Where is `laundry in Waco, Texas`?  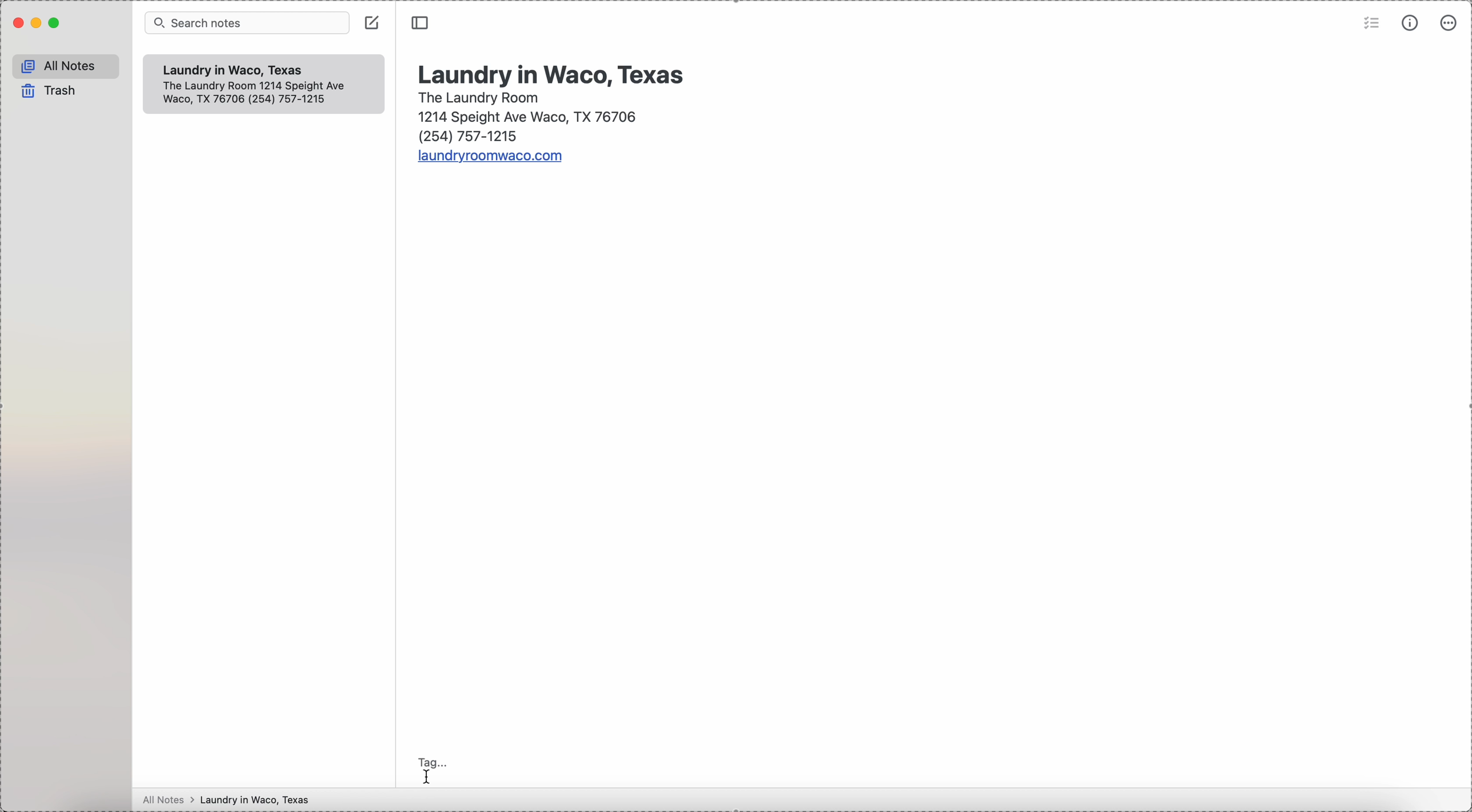
laundry in Waco, Texas is located at coordinates (553, 72).